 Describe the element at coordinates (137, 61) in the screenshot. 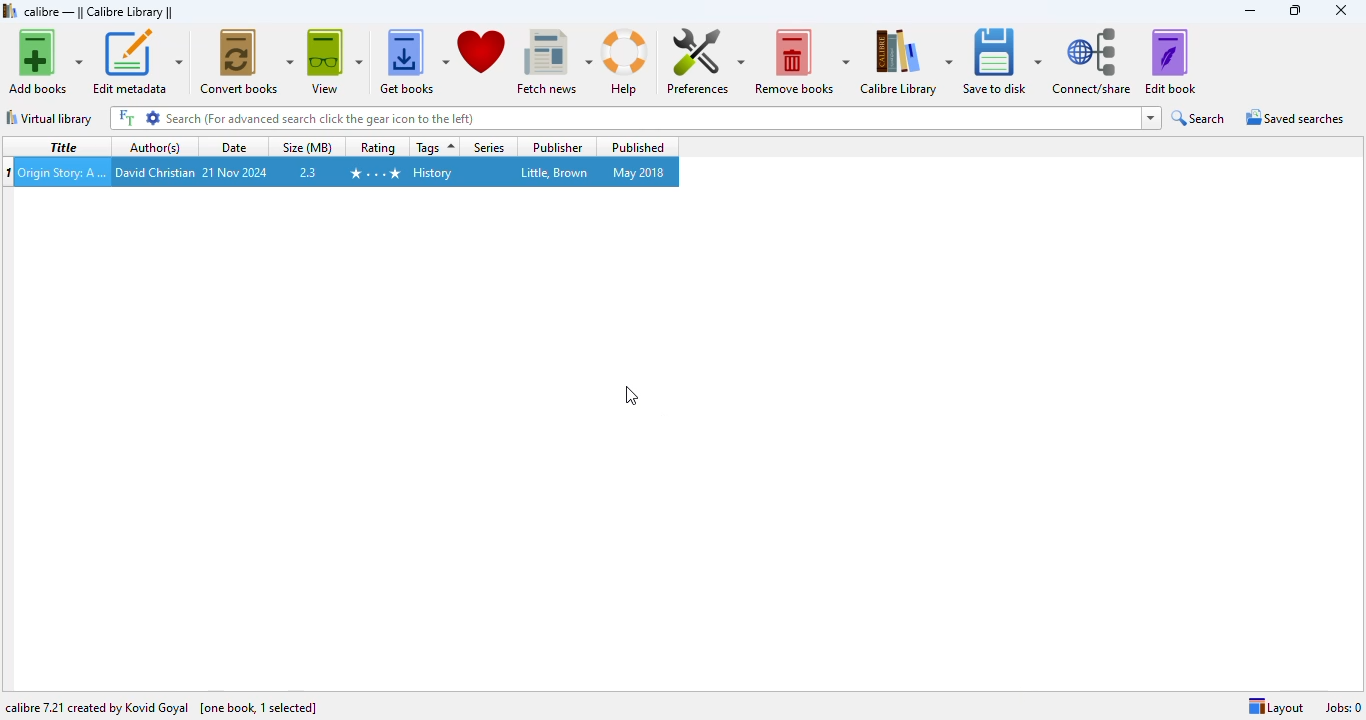

I see `edit metadata` at that location.